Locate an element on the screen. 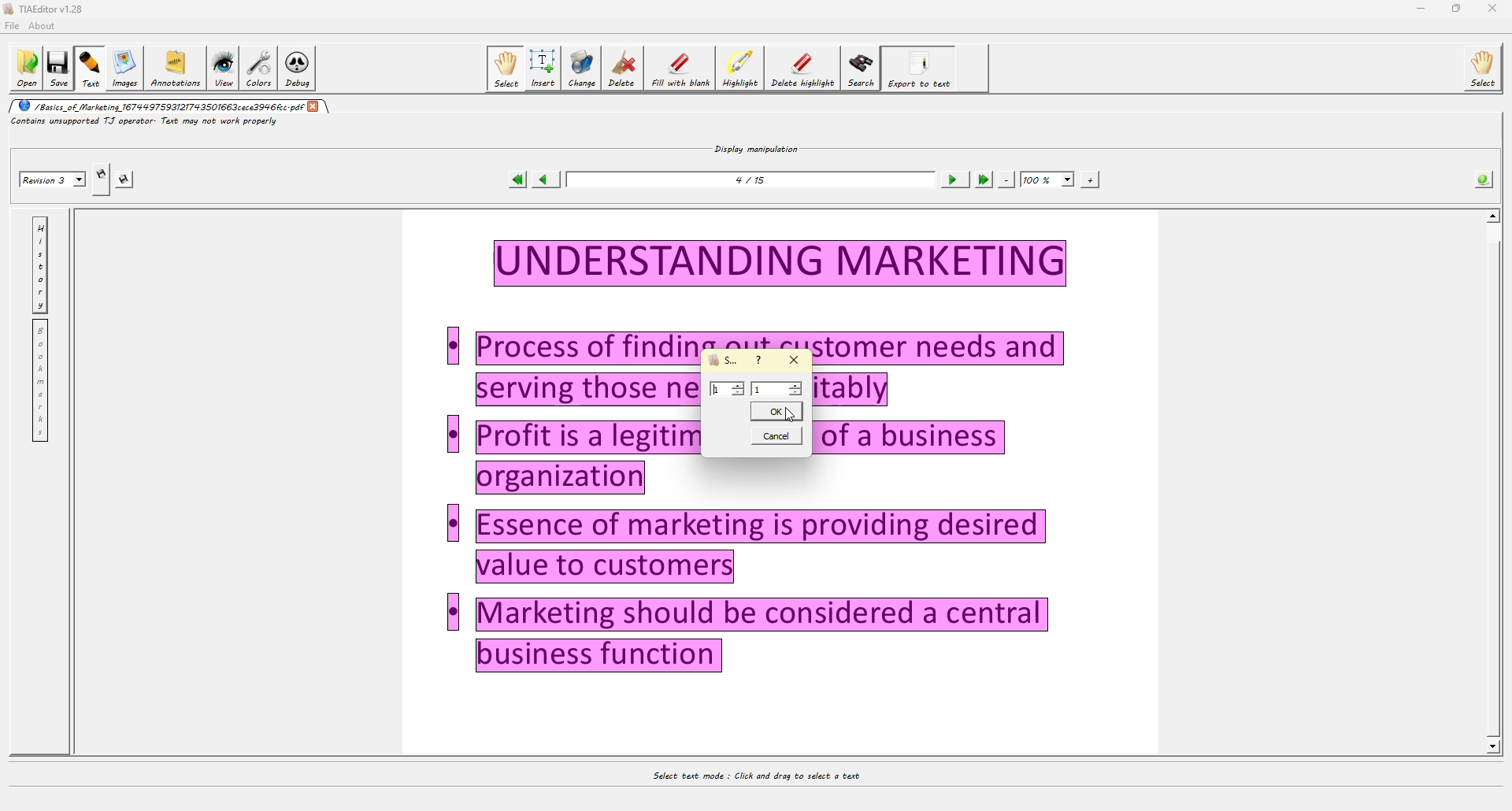  about is located at coordinates (43, 25).